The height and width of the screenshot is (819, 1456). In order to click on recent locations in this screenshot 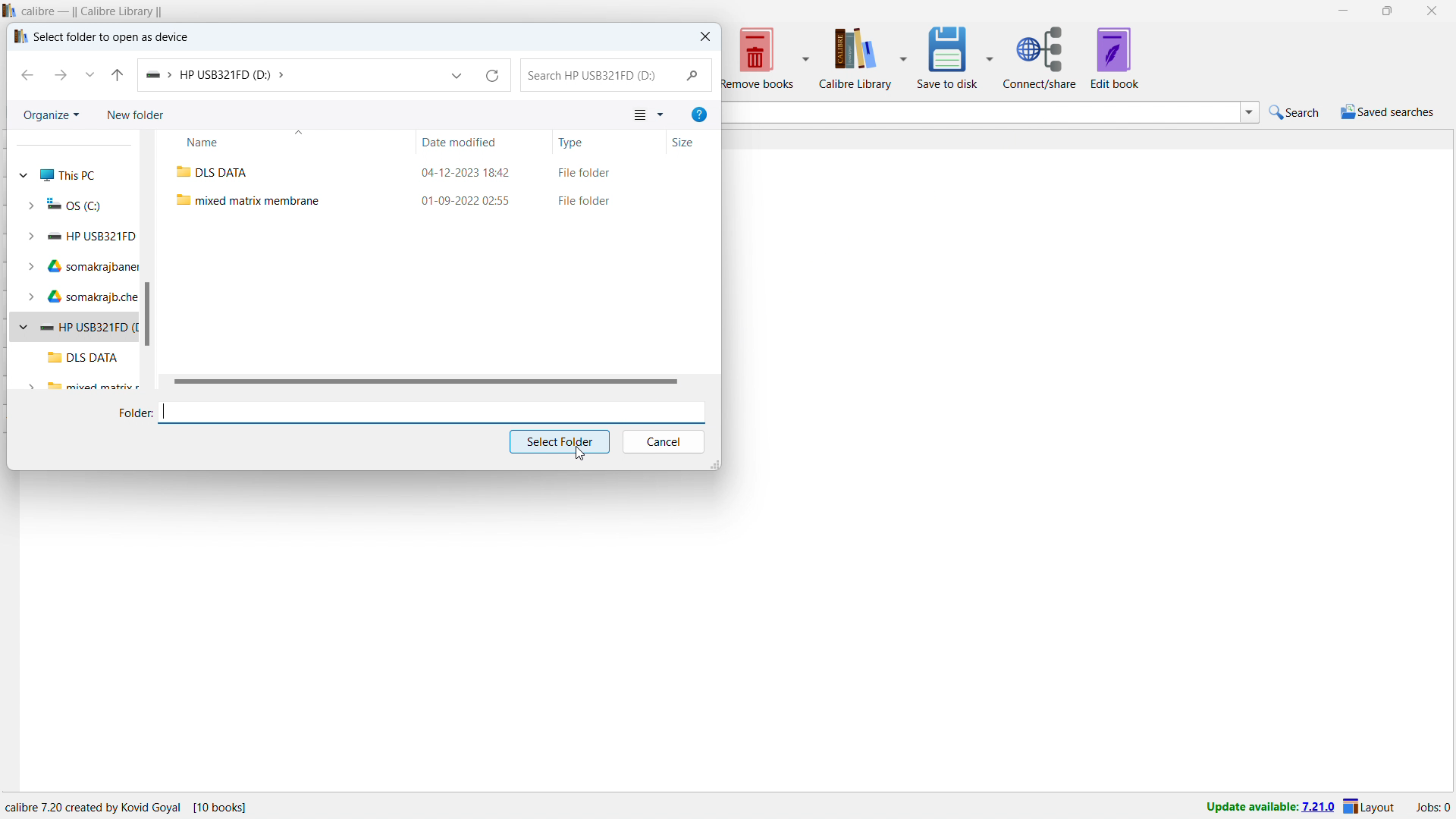, I will do `click(89, 74)`.